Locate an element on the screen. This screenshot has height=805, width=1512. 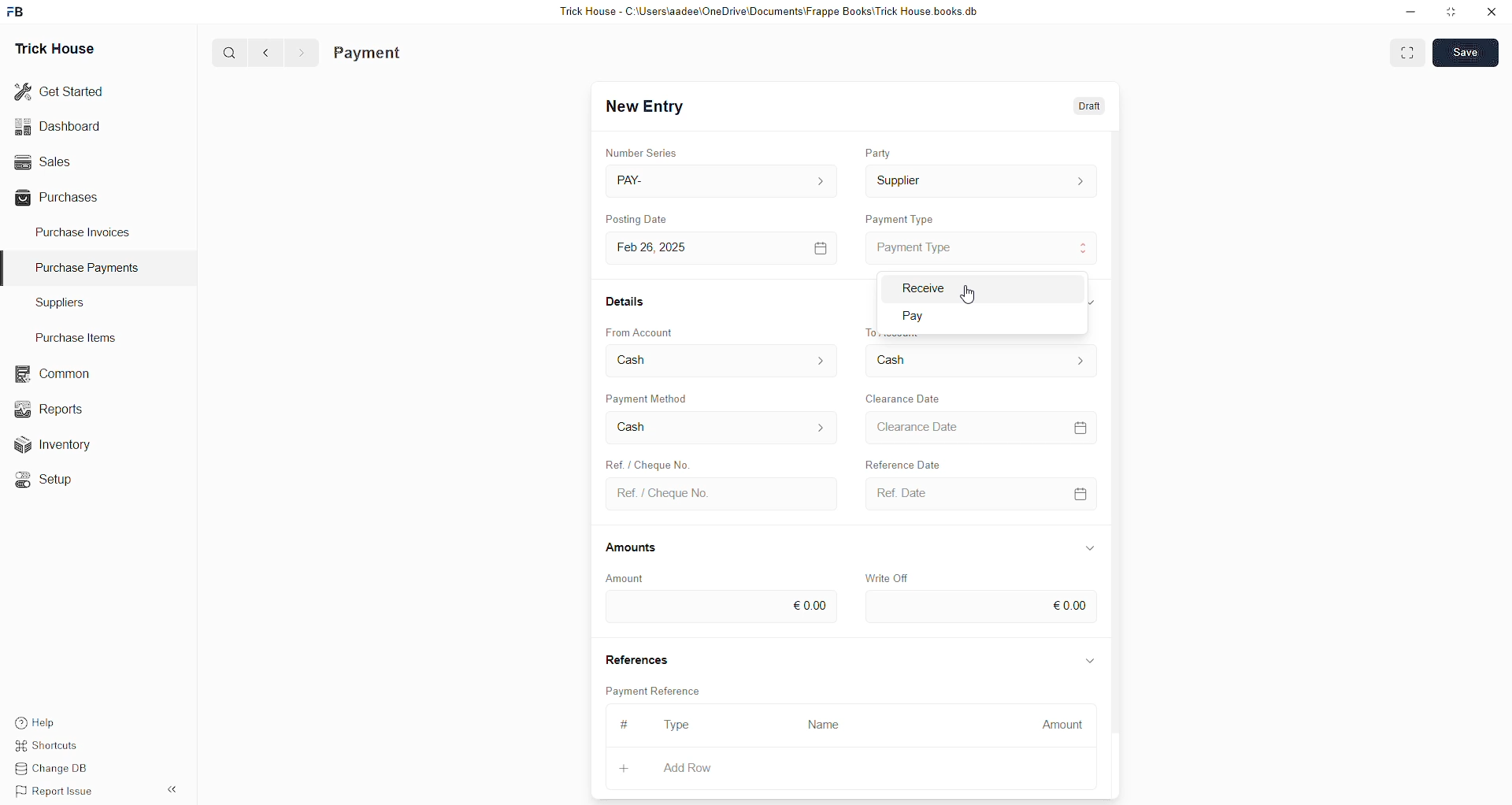
Suppliers is located at coordinates (77, 304).